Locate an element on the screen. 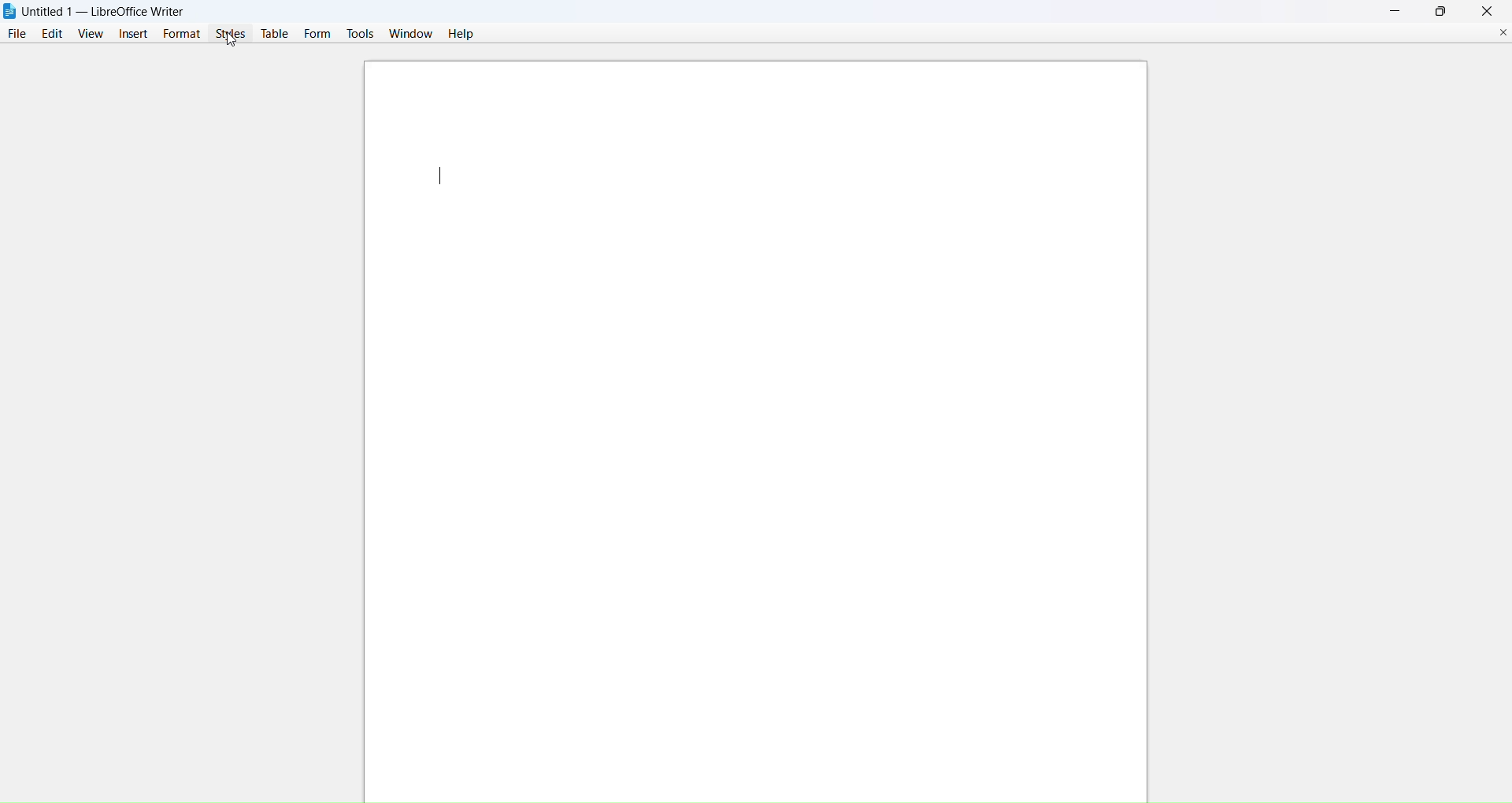 Image resolution: width=1512 pixels, height=803 pixels. Untitled 1 — LibreOffice Writer is located at coordinates (109, 9).